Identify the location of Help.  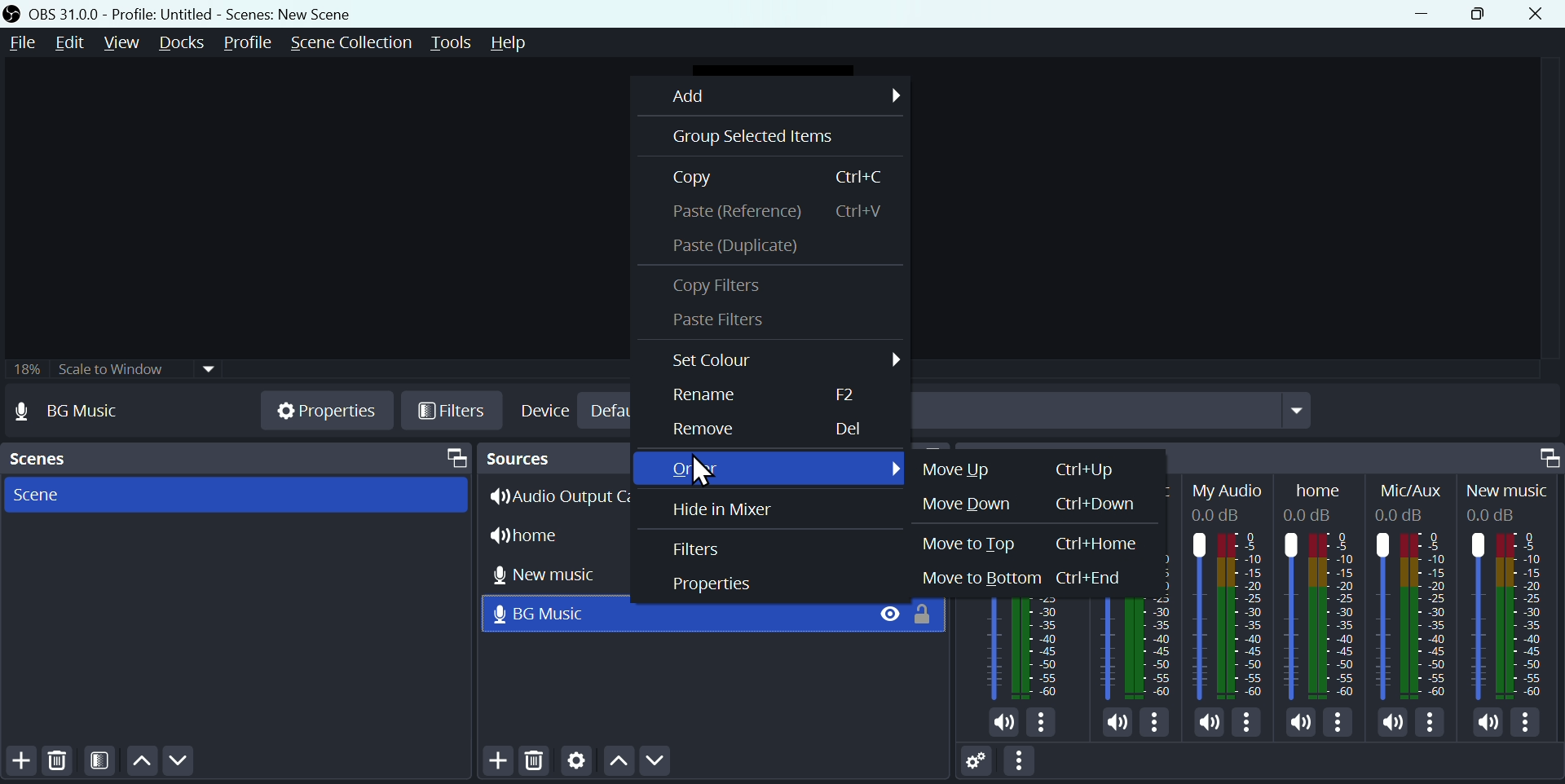
(522, 42).